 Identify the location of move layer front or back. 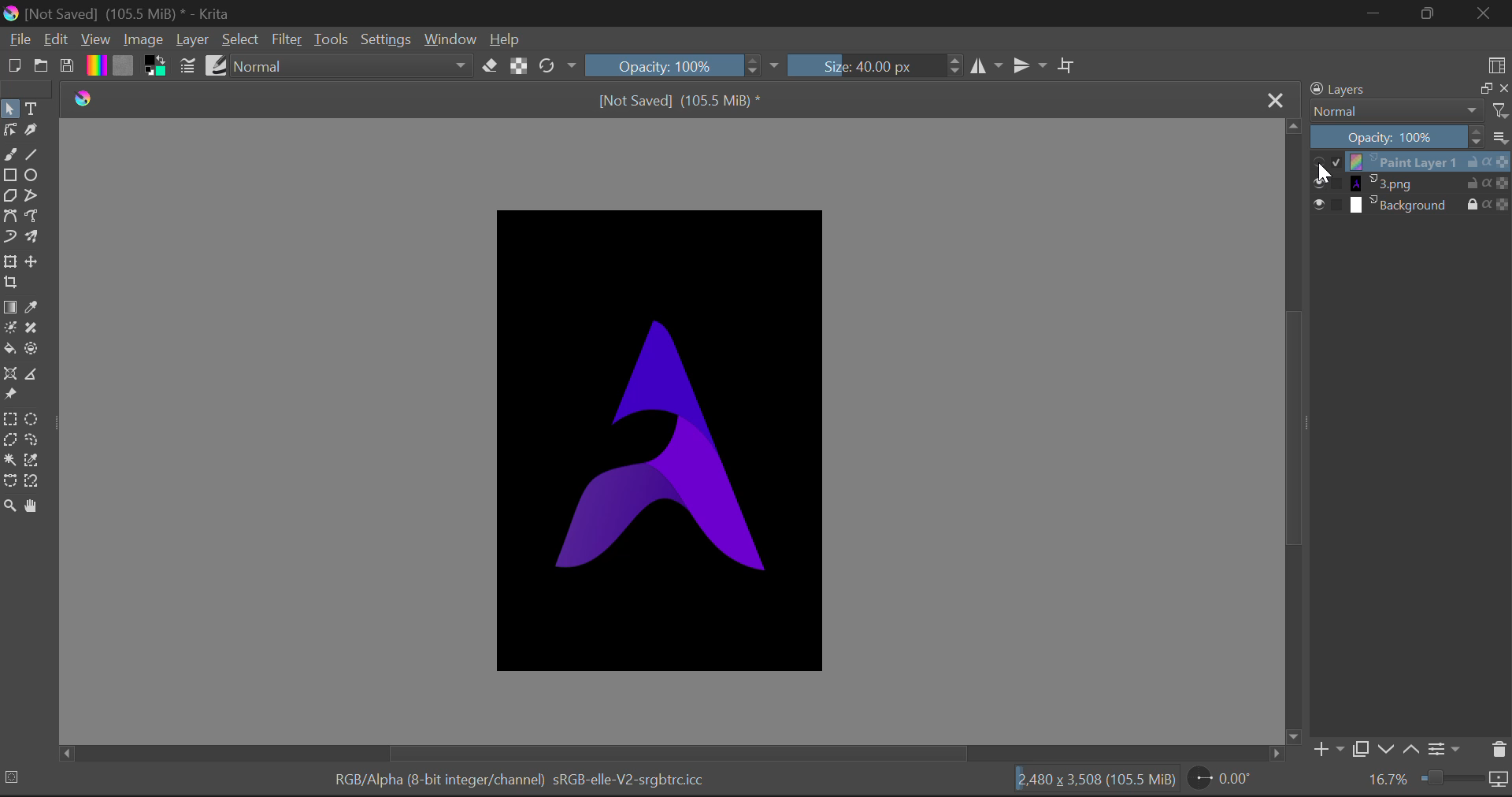
(1402, 751).